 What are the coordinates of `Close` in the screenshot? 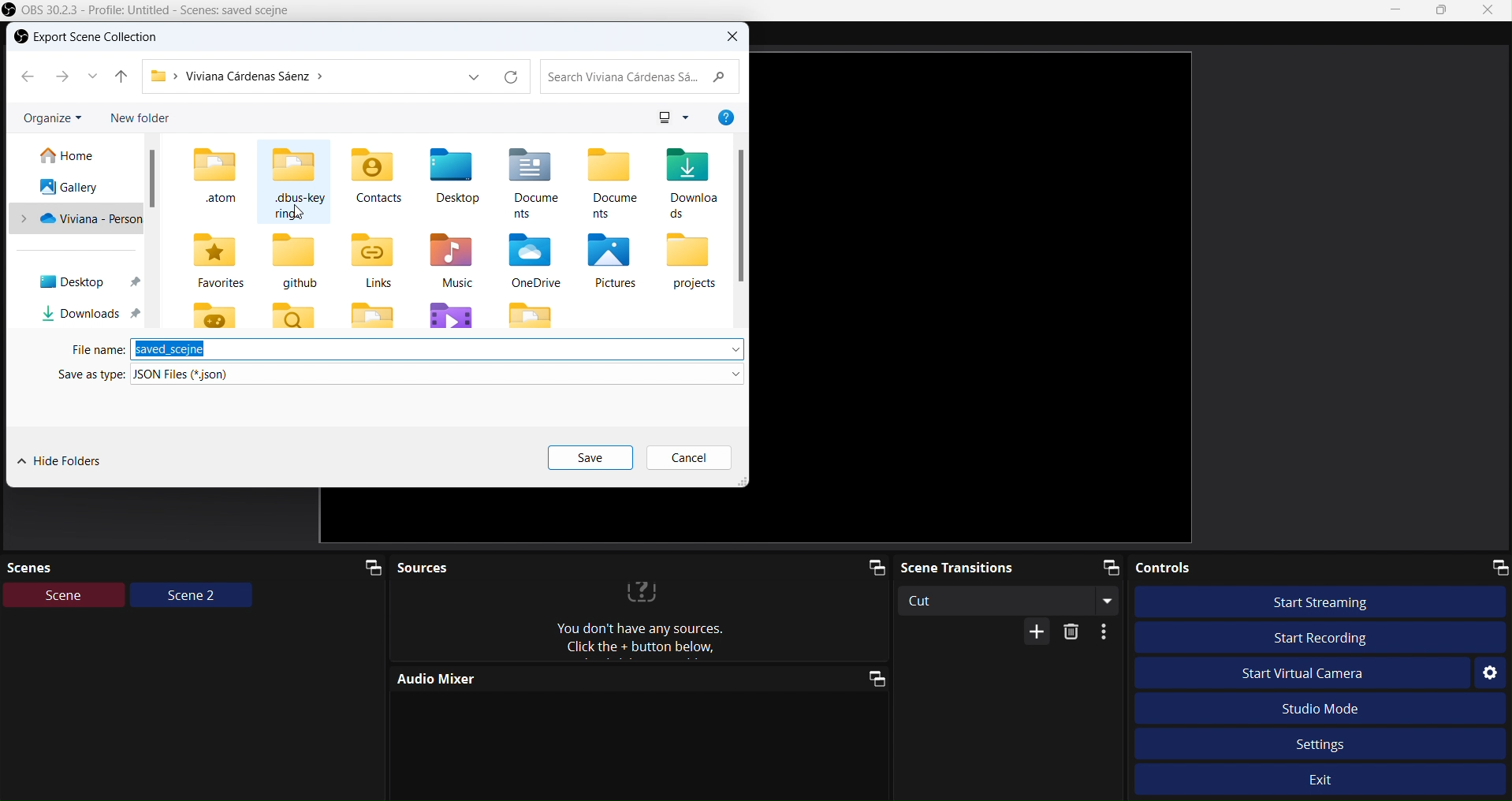 It's located at (1493, 10).